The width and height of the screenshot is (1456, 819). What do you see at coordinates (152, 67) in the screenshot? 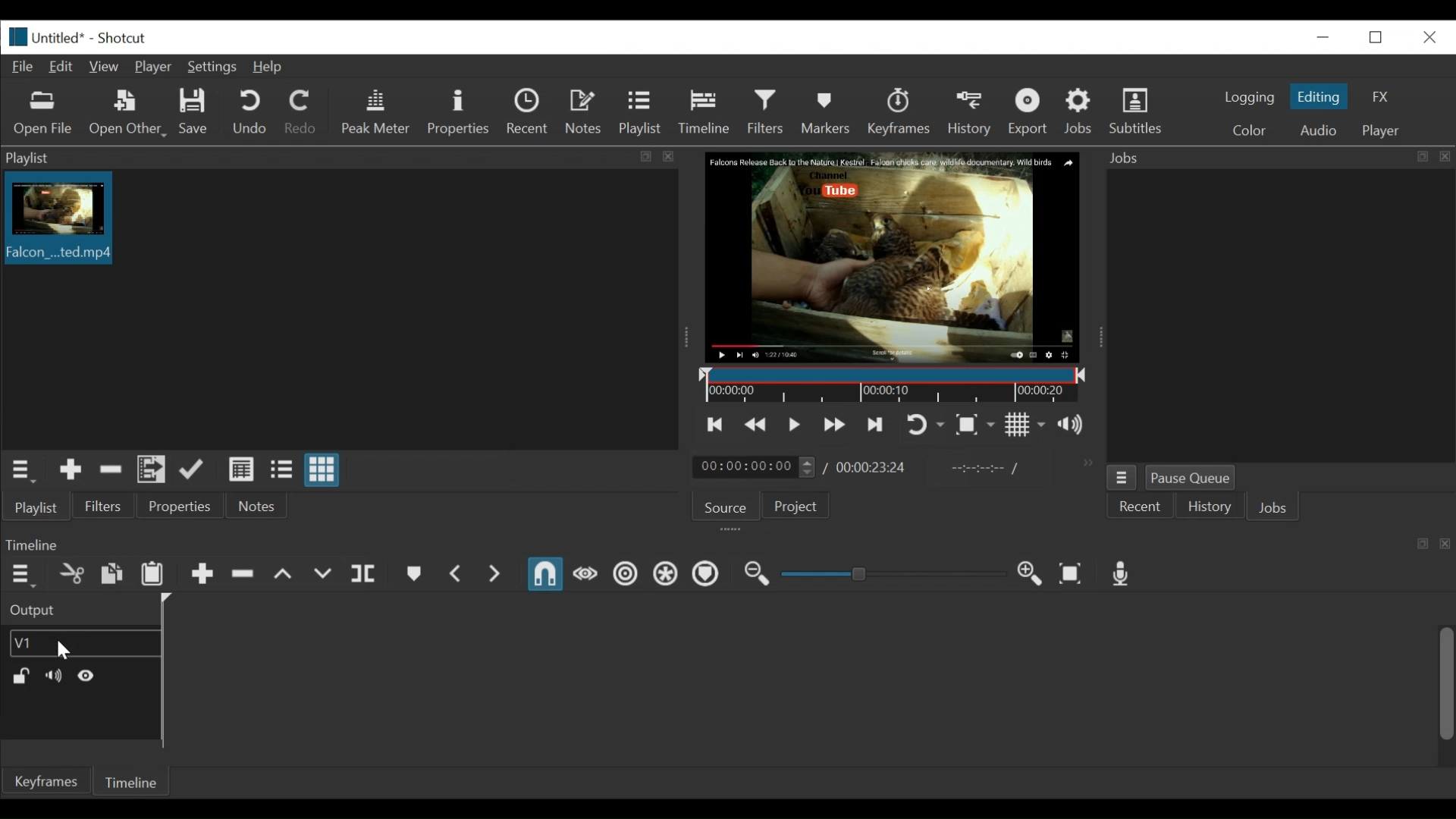
I see `Player` at bounding box center [152, 67].